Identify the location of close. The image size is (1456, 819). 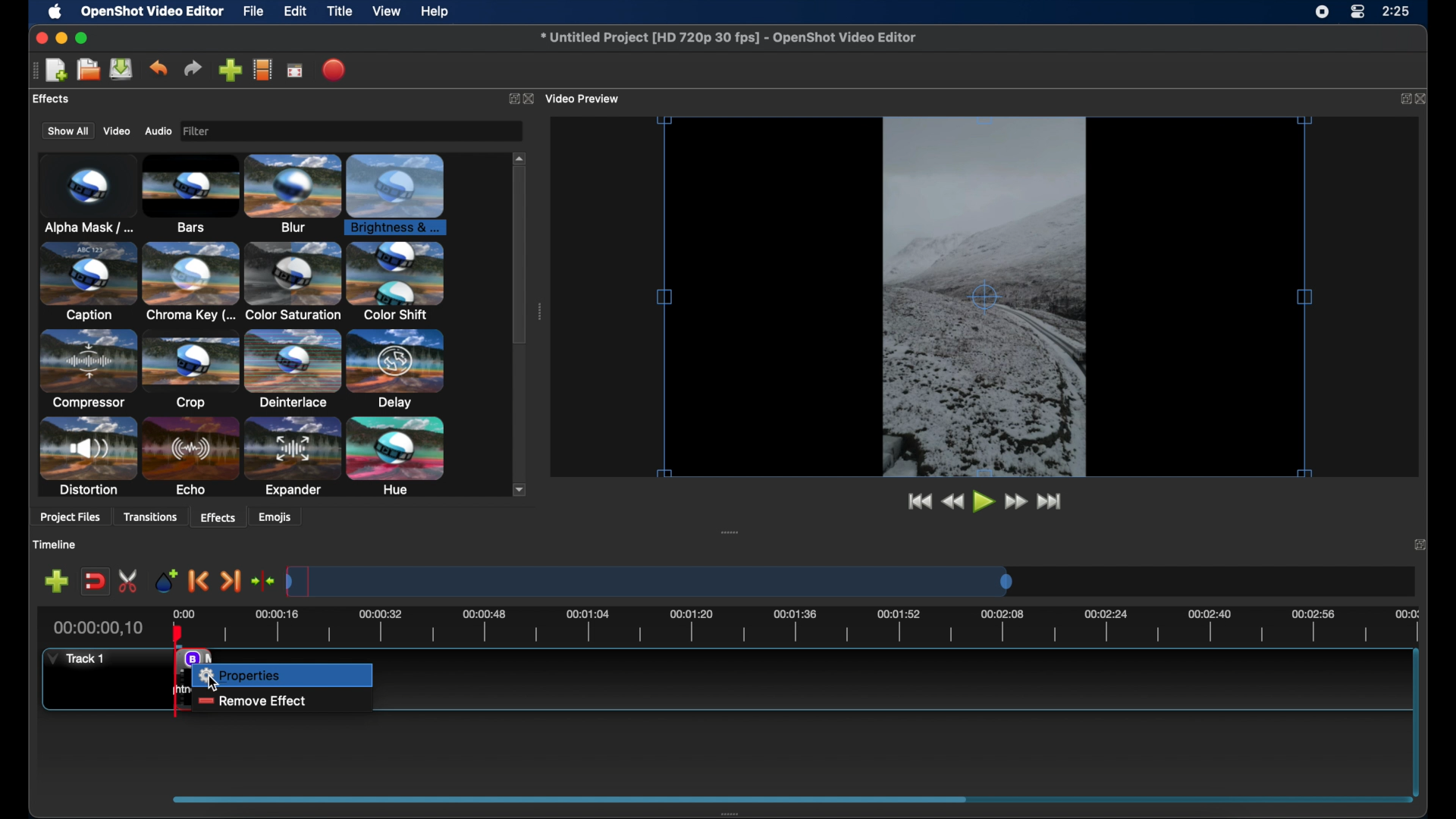
(38, 38).